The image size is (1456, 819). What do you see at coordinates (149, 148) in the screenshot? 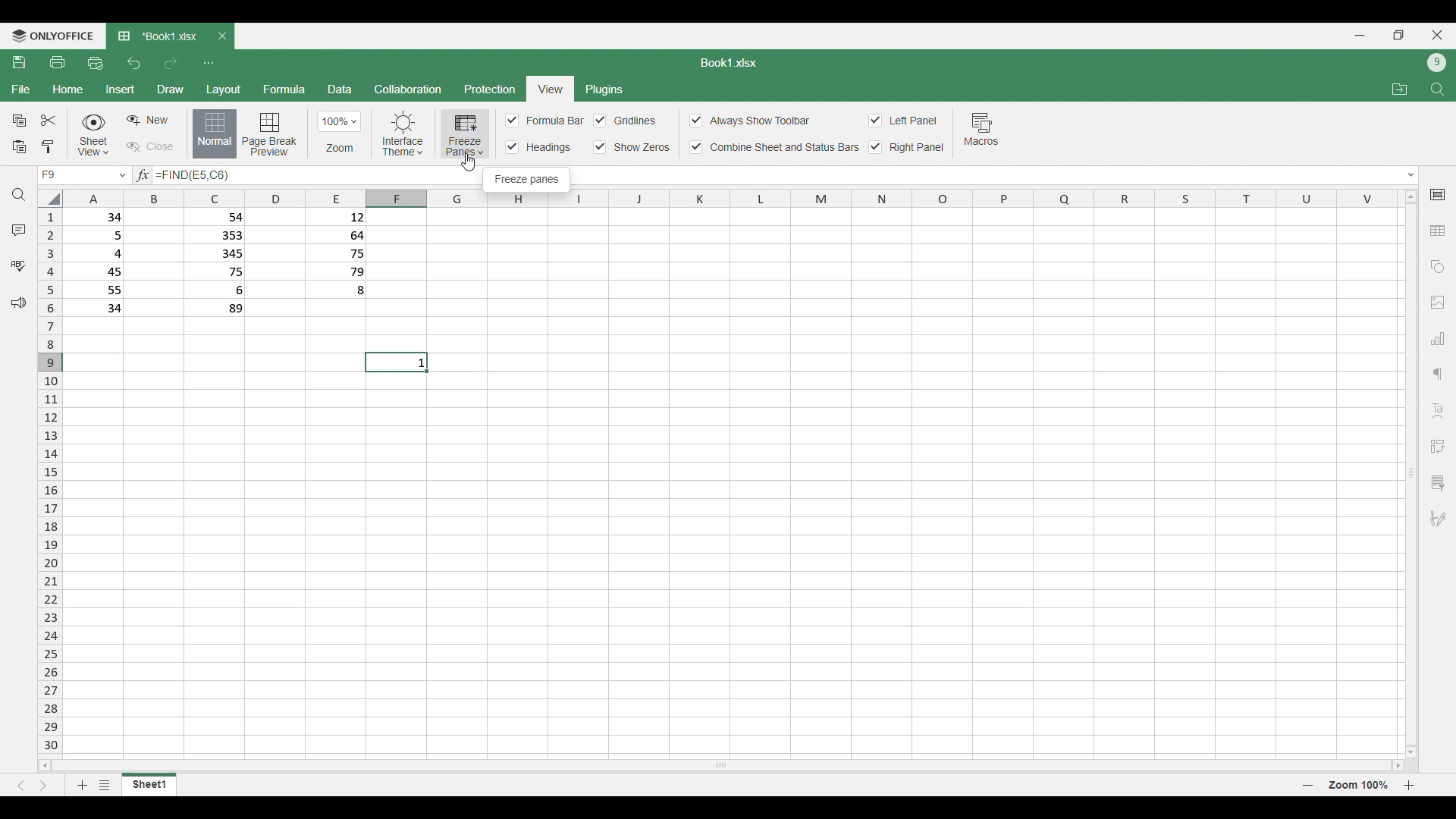
I see `Close sheet view` at bounding box center [149, 148].